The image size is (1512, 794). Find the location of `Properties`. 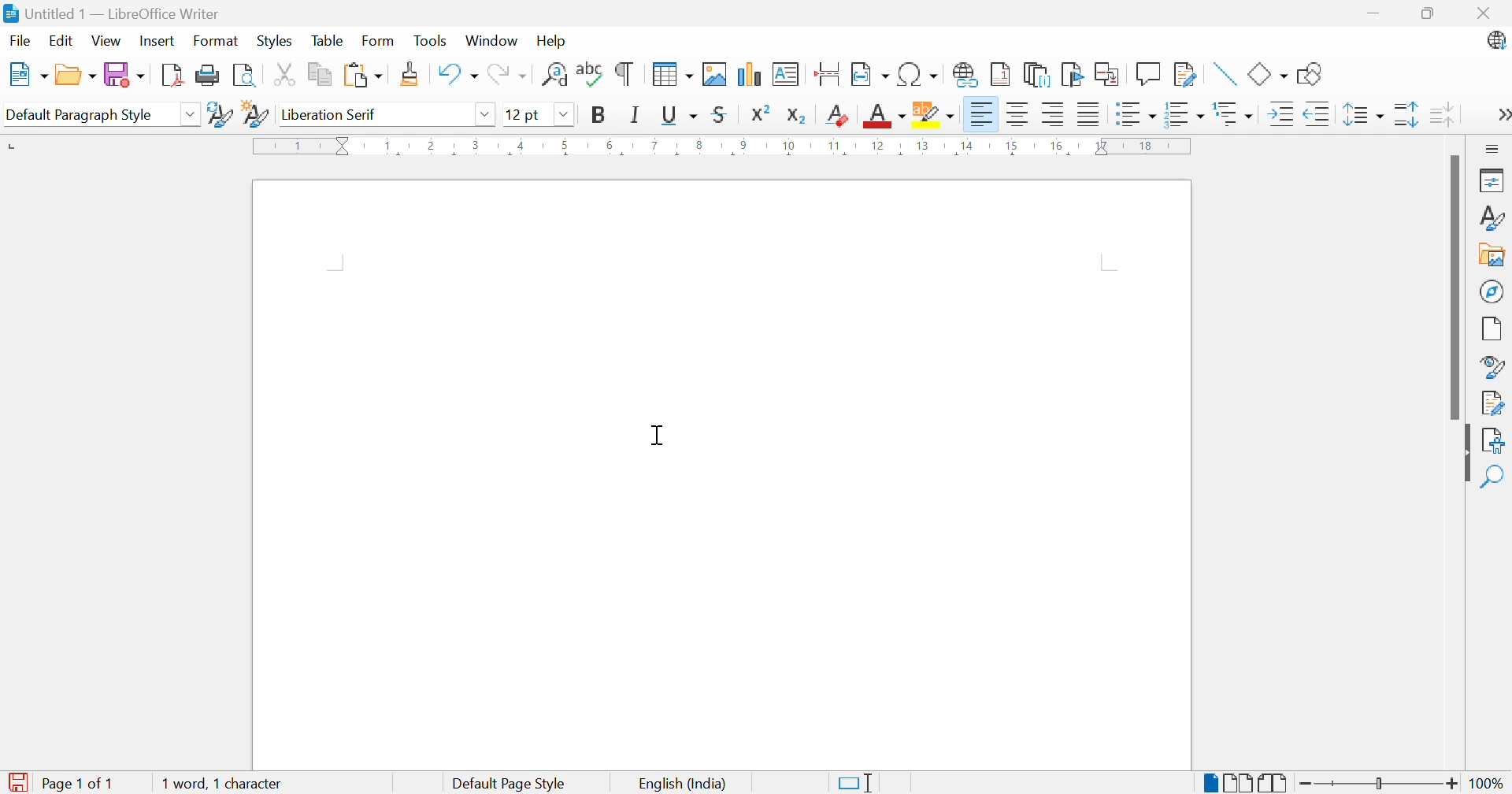

Properties is located at coordinates (1494, 180).